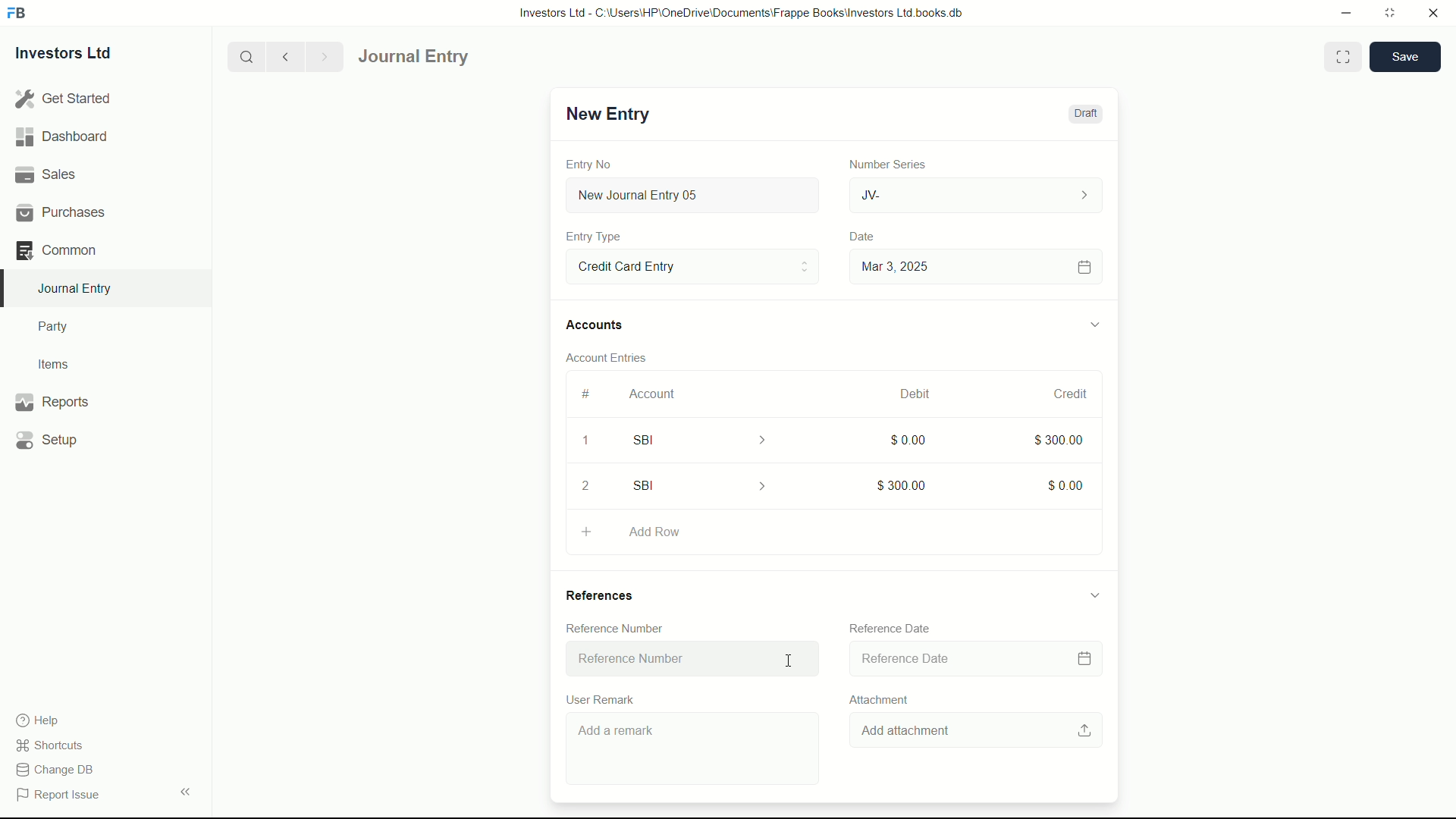  Describe the element at coordinates (604, 698) in the screenshot. I see `User Remark` at that location.